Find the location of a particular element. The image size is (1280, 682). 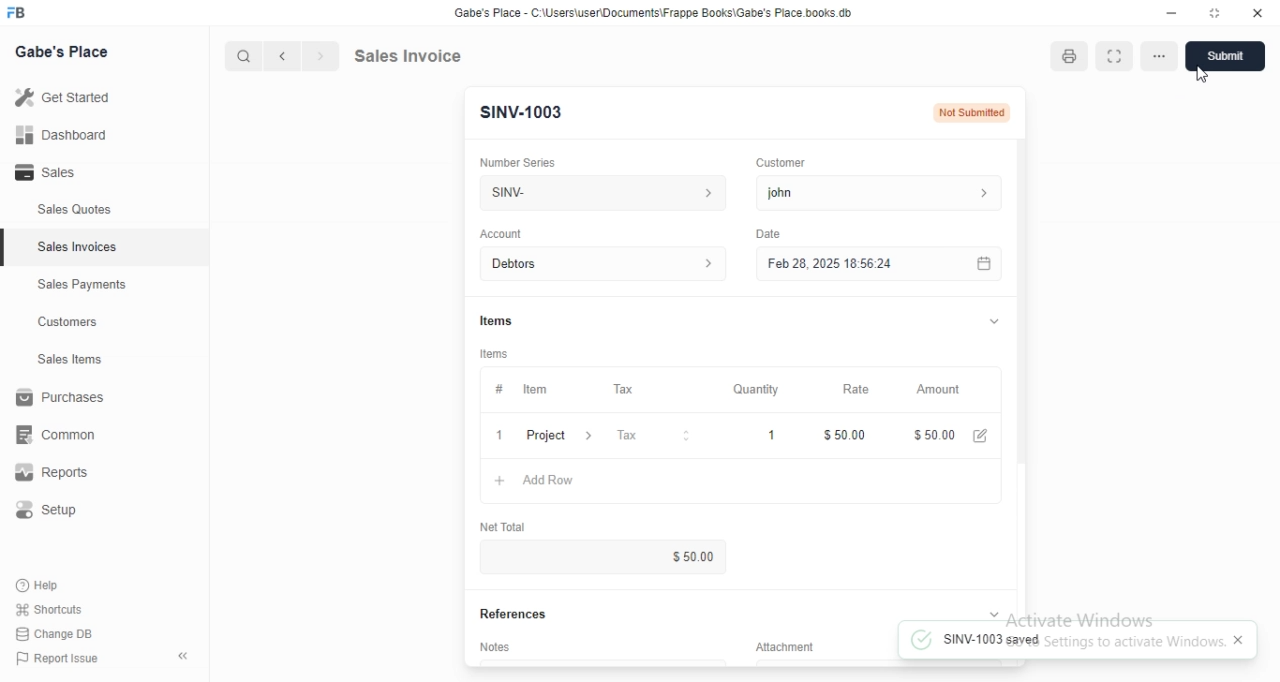

Reports is located at coordinates (65, 475).